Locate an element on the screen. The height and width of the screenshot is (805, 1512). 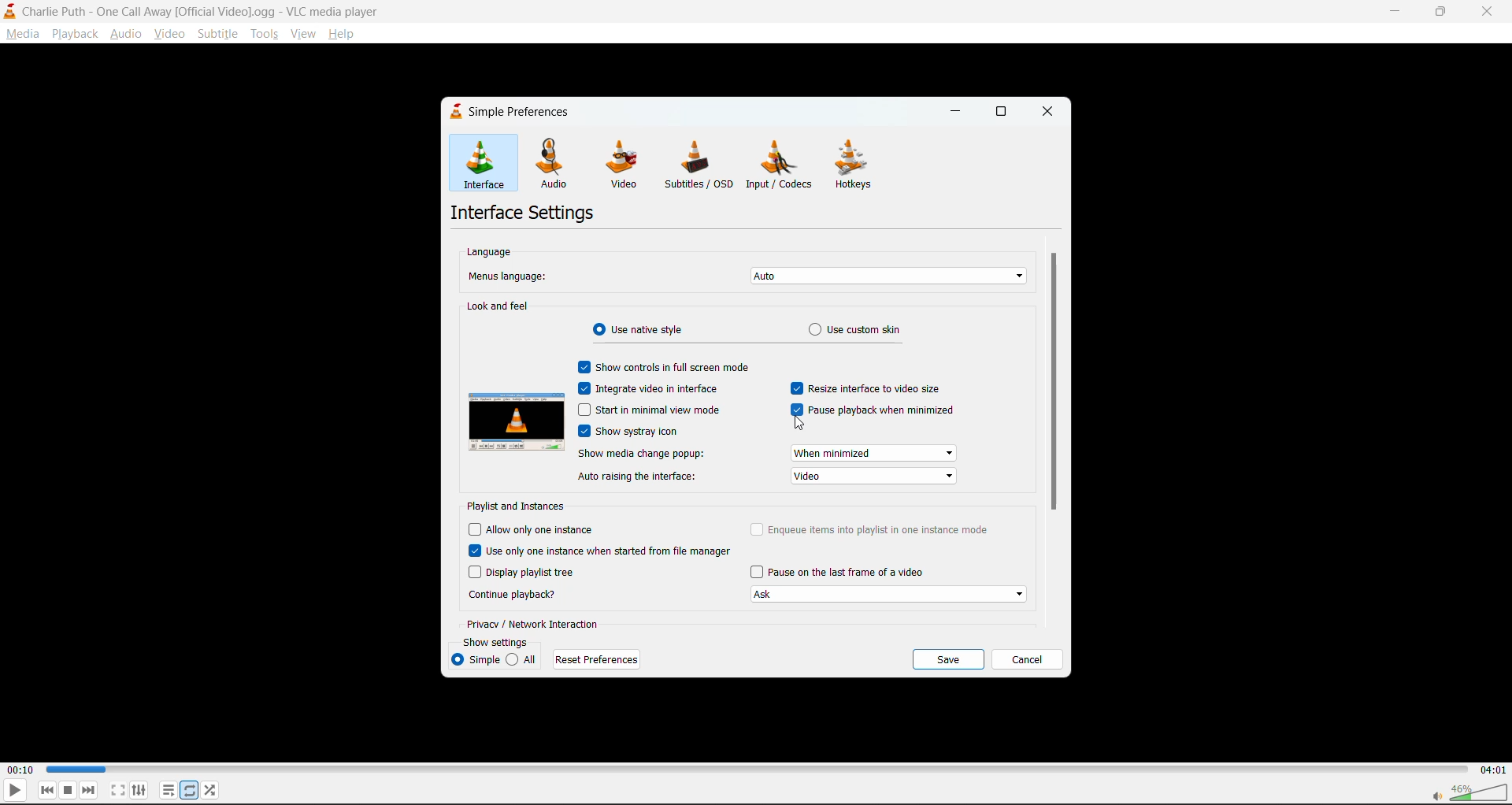
tools is located at coordinates (265, 33).